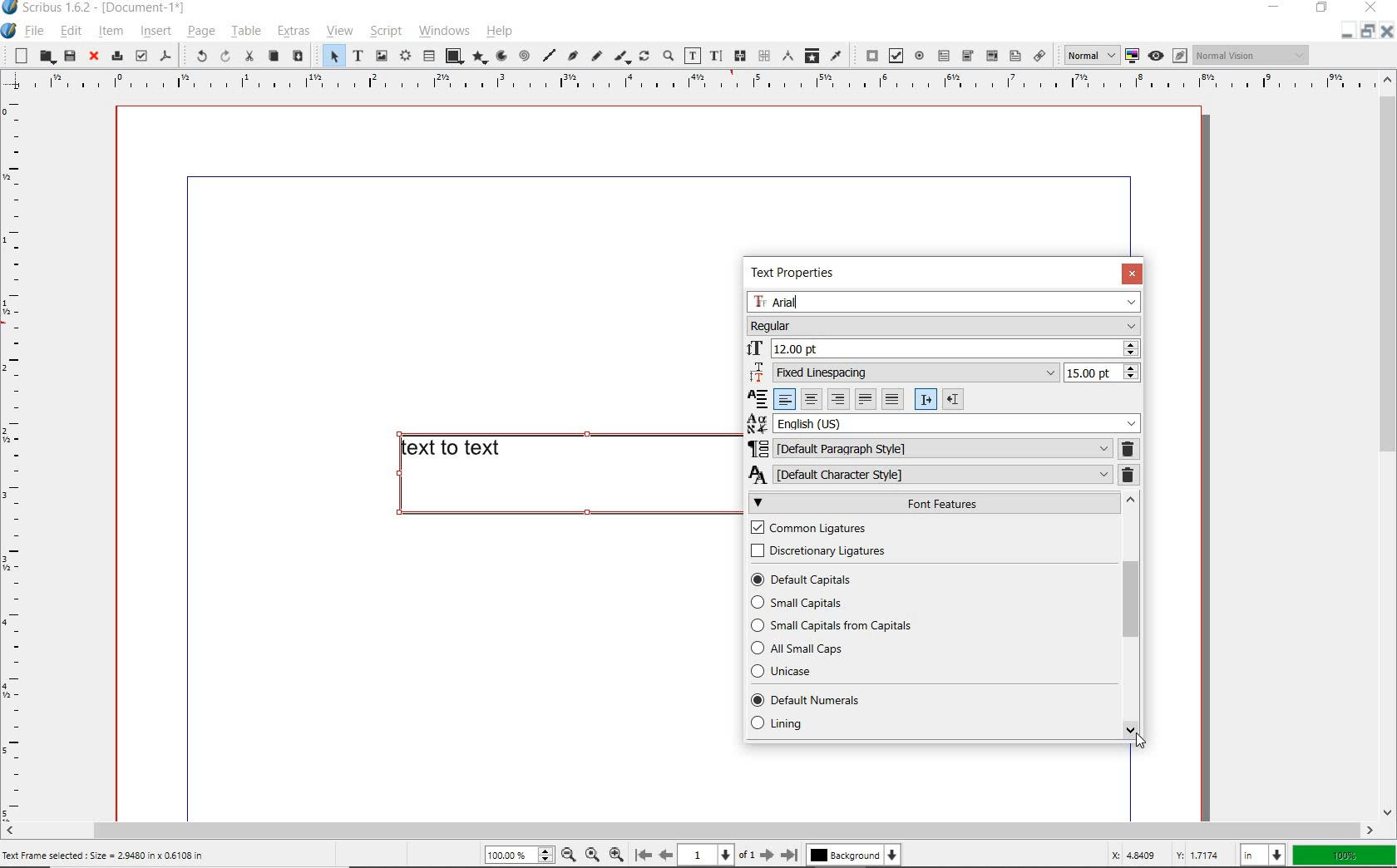 The image size is (1397, 868). What do you see at coordinates (155, 32) in the screenshot?
I see `insert` at bounding box center [155, 32].